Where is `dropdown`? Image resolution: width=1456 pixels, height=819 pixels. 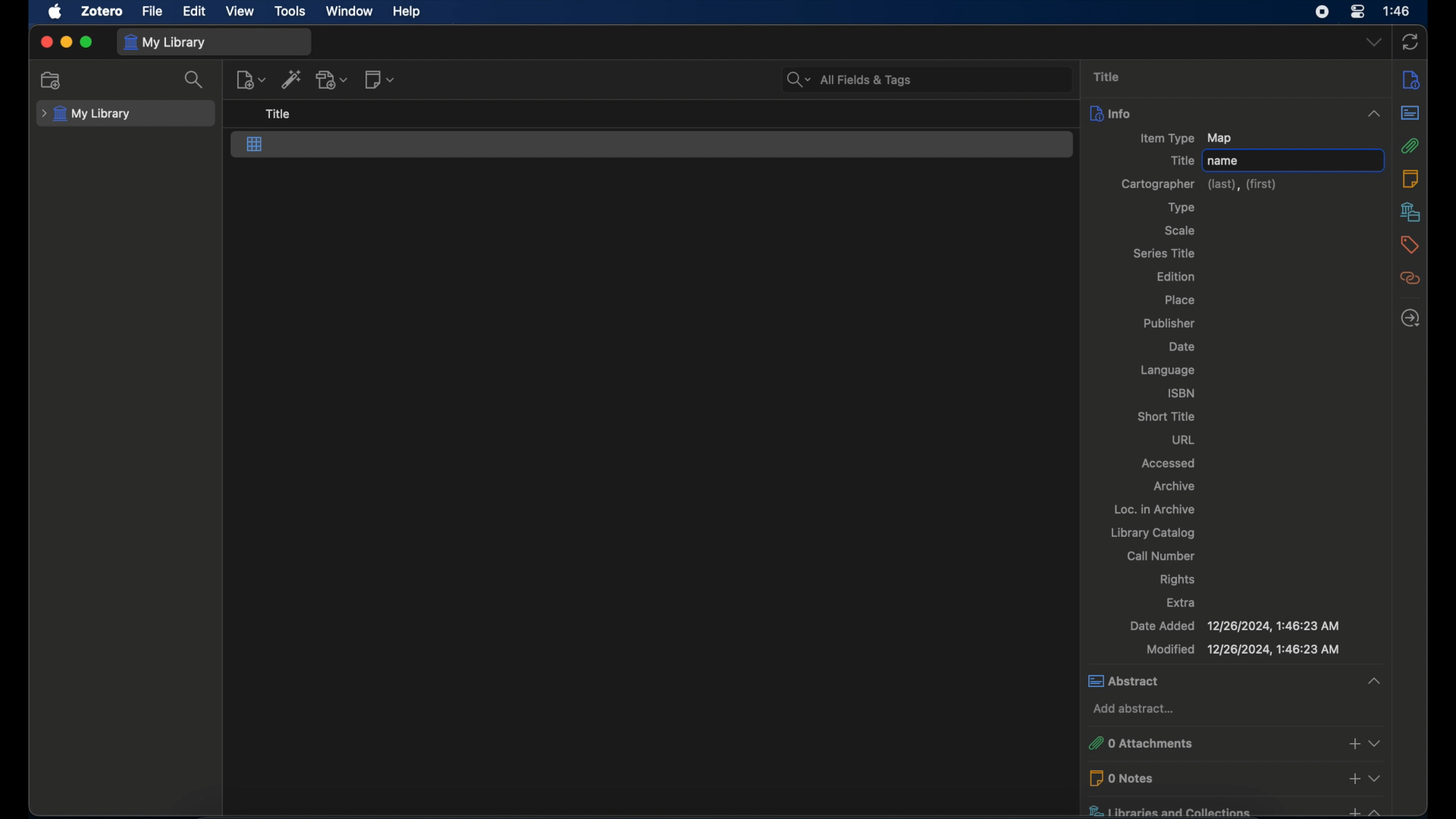
dropdown is located at coordinates (1373, 42).